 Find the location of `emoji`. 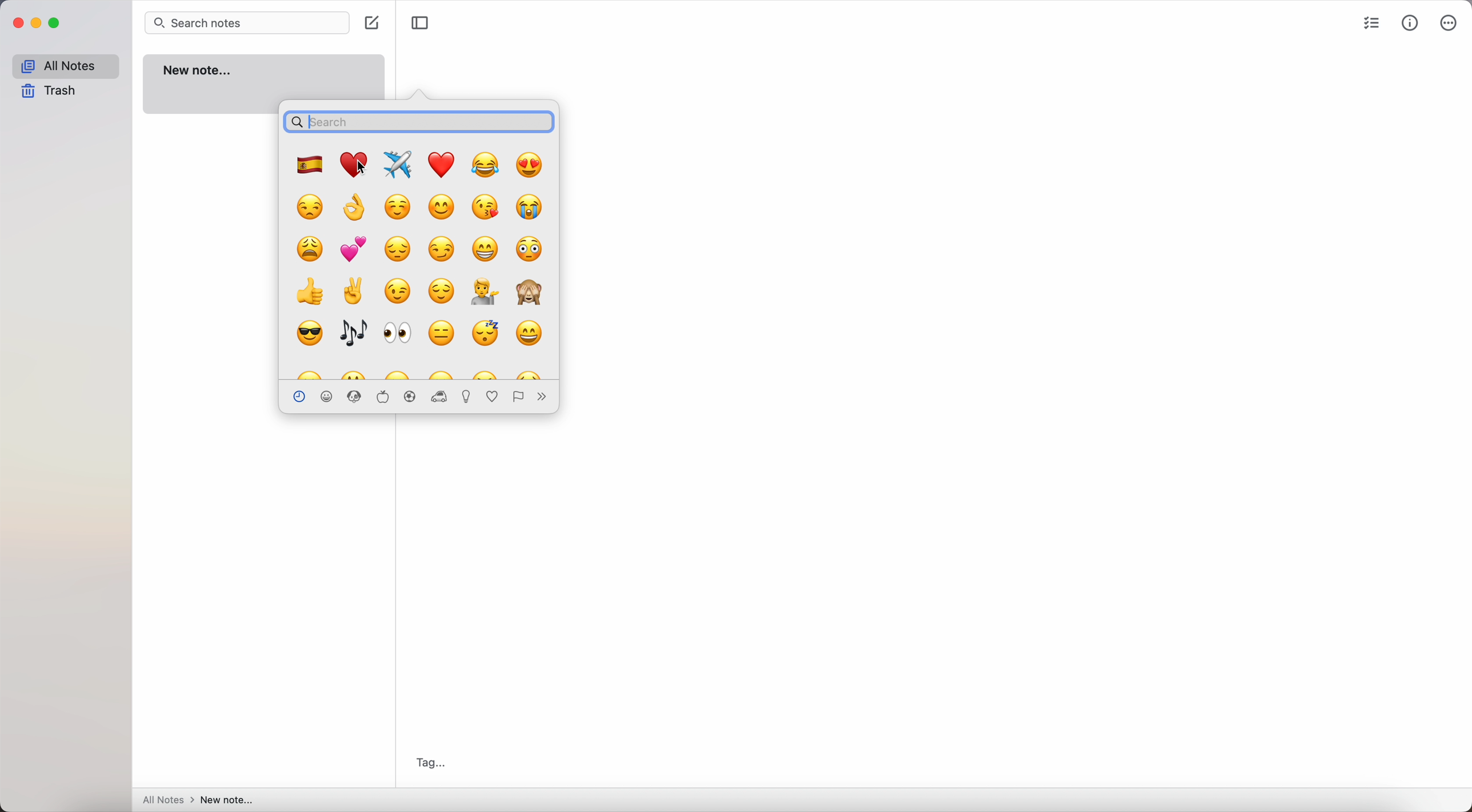

emoji is located at coordinates (486, 165).